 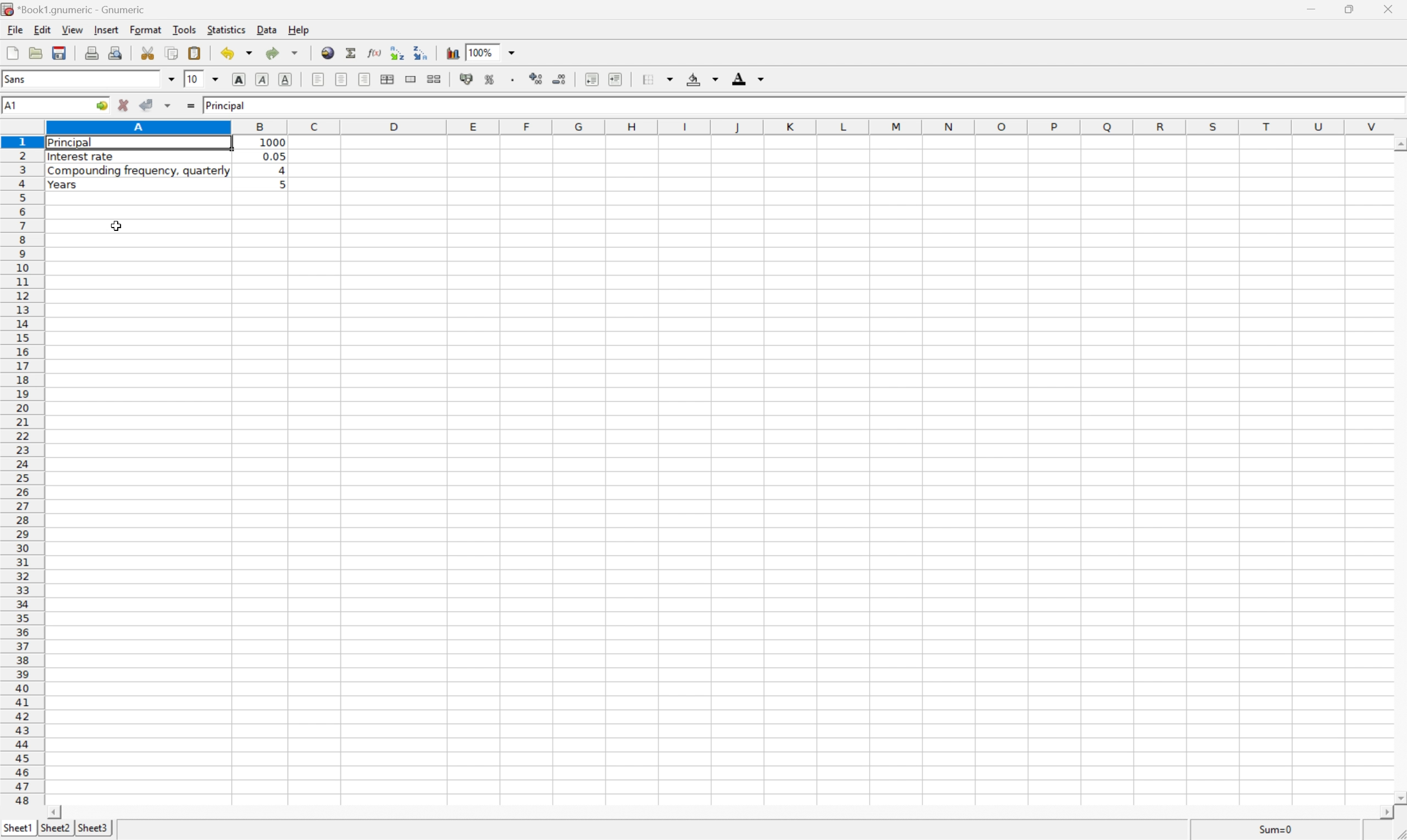 What do you see at coordinates (364, 79) in the screenshot?
I see `Align right` at bounding box center [364, 79].